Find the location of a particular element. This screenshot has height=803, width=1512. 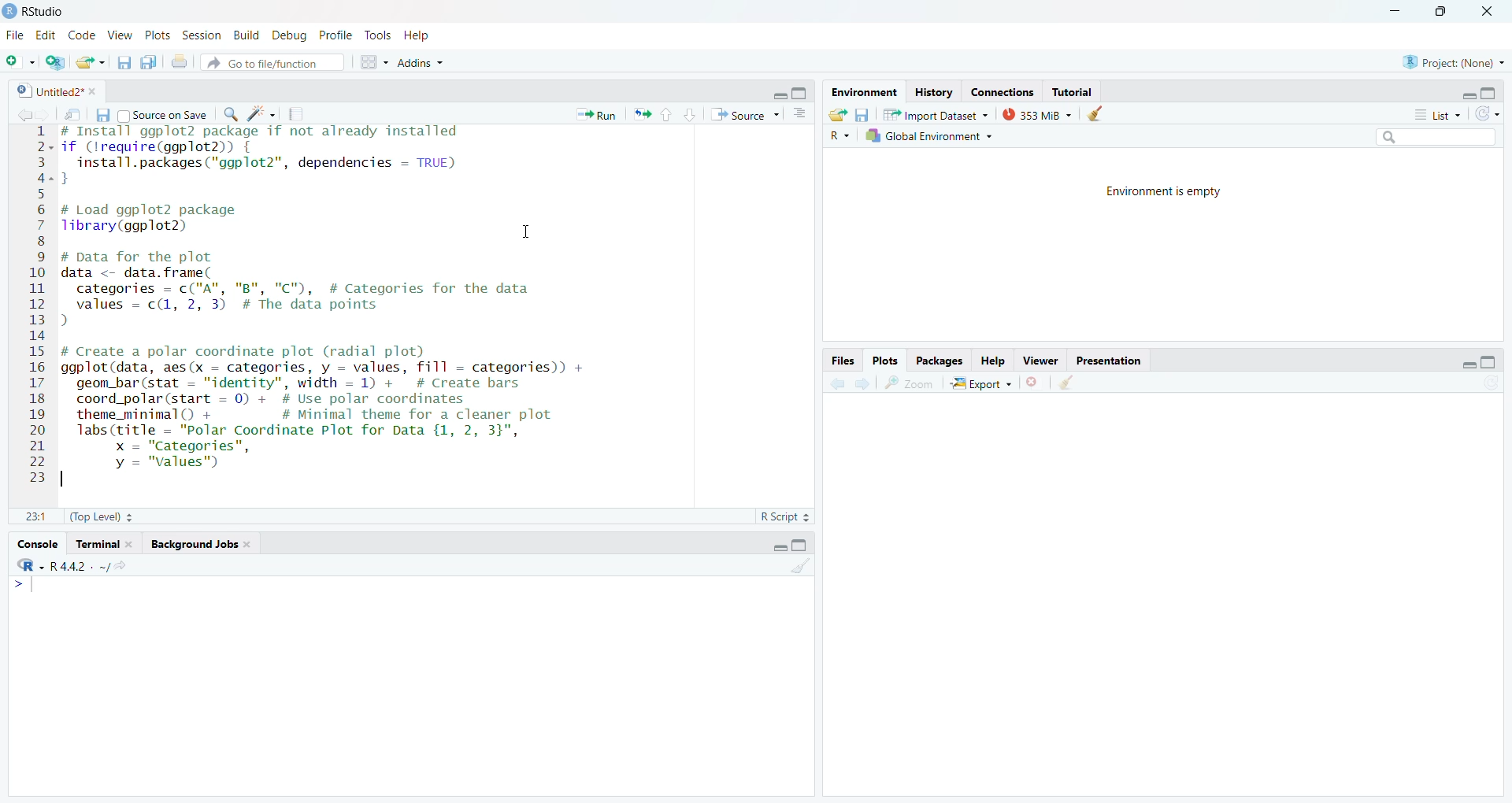

clear console is located at coordinates (802, 569).